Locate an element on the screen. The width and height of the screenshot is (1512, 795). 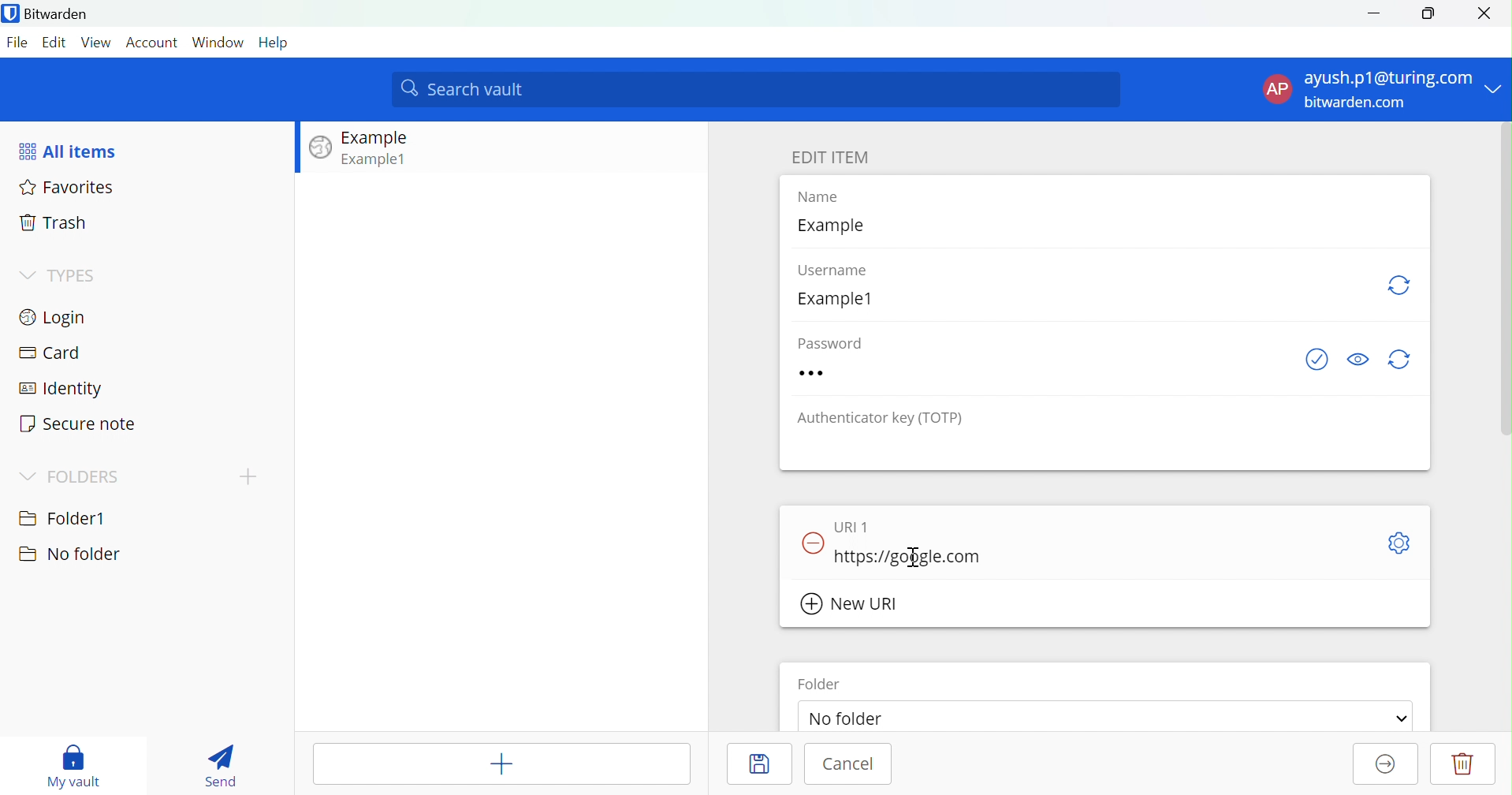
Toggle Options is located at coordinates (1399, 544).